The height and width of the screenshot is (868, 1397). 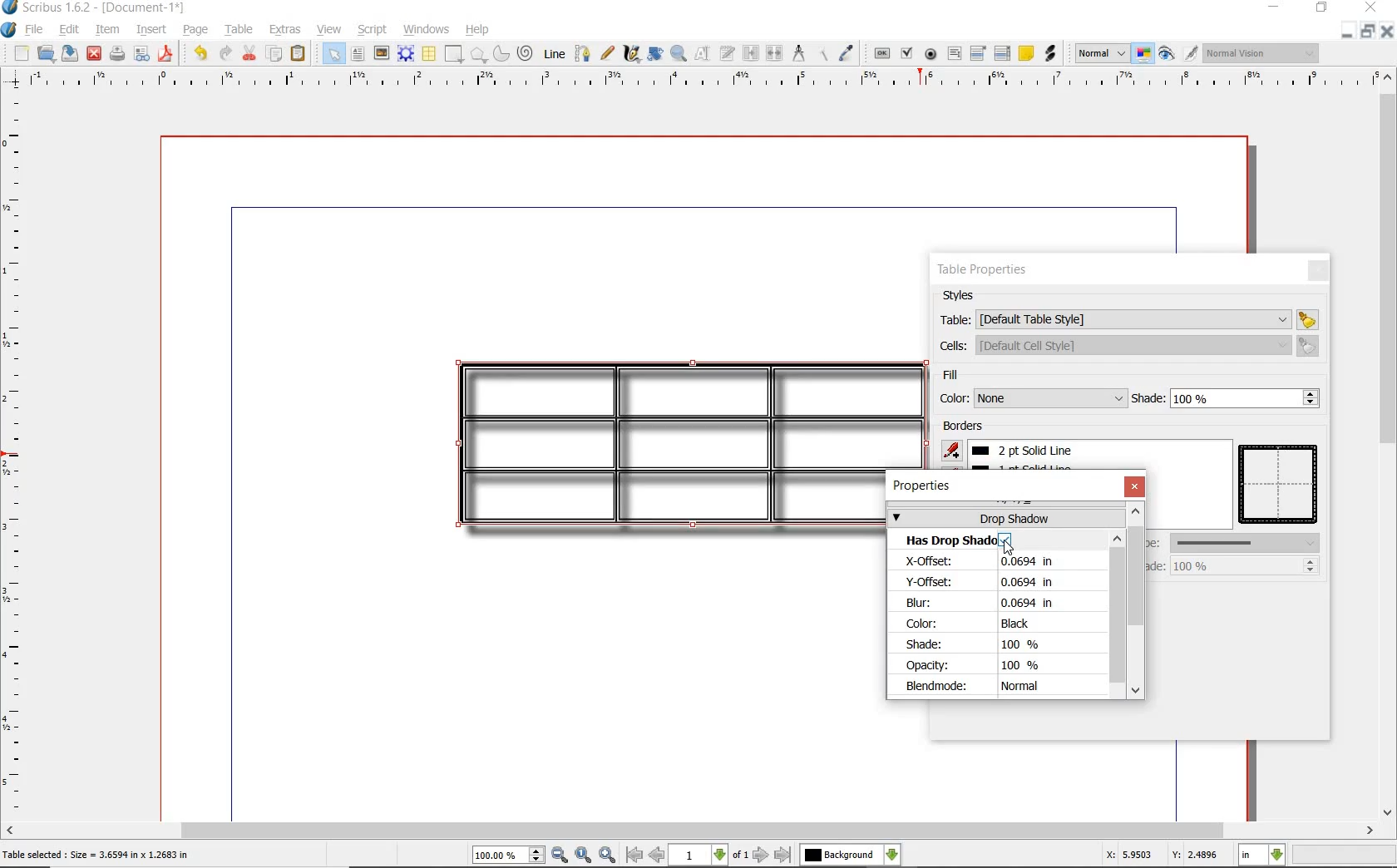 What do you see at coordinates (693, 81) in the screenshot?
I see `ruler` at bounding box center [693, 81].